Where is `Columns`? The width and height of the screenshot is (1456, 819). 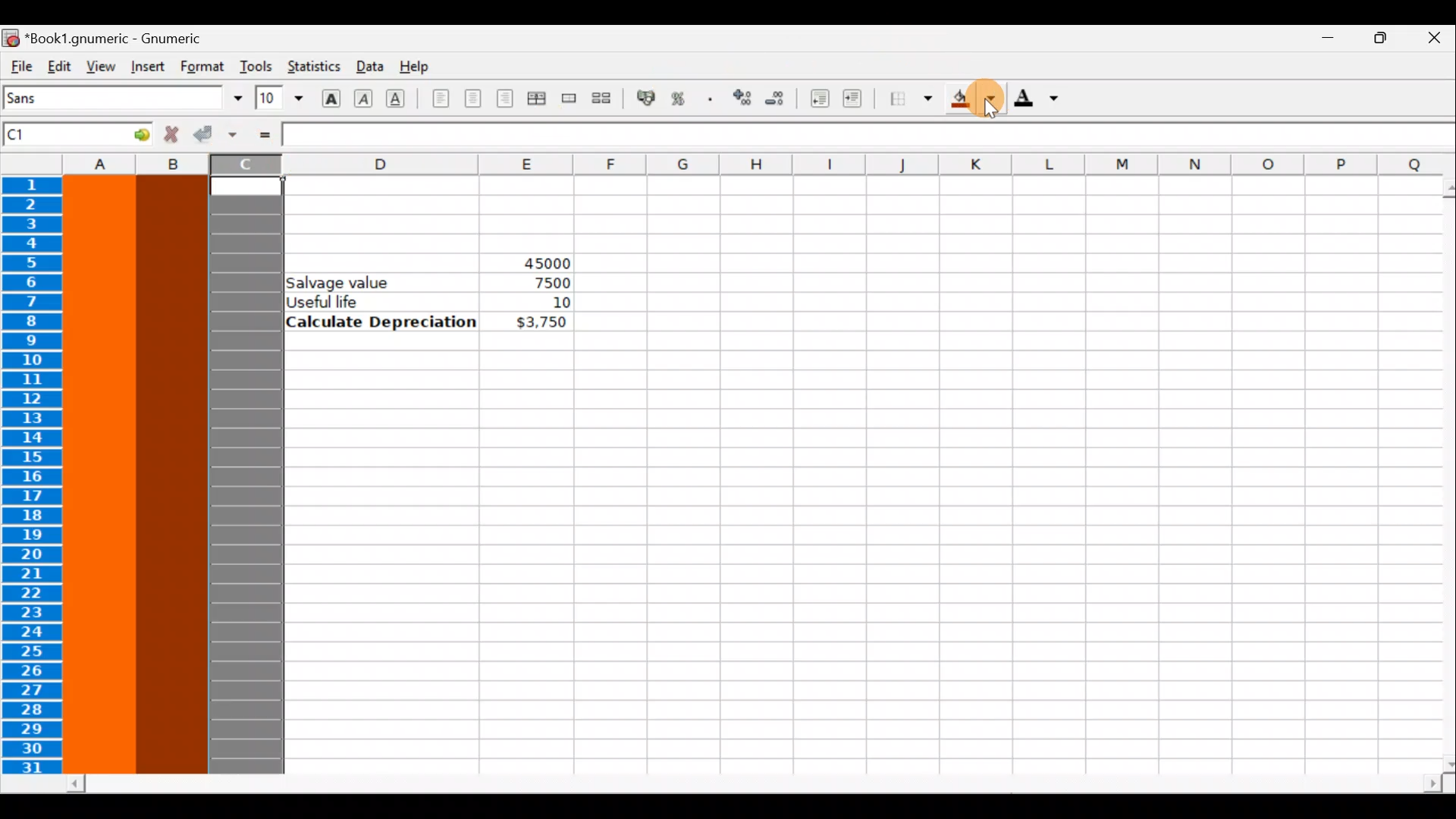
Columns is located at coordinates (723, 164).